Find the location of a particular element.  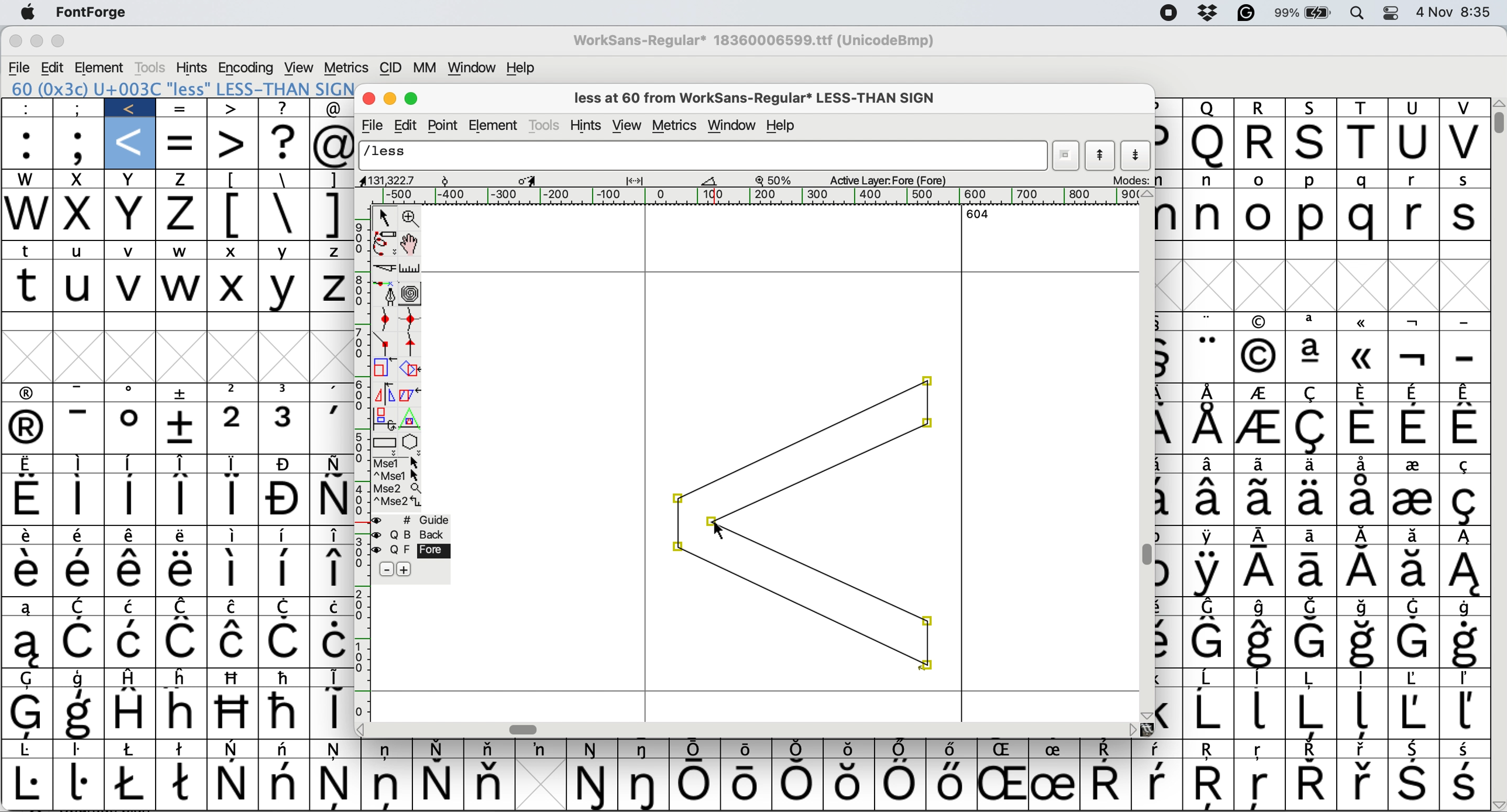

Symbol is located at coordinates (29, 644).